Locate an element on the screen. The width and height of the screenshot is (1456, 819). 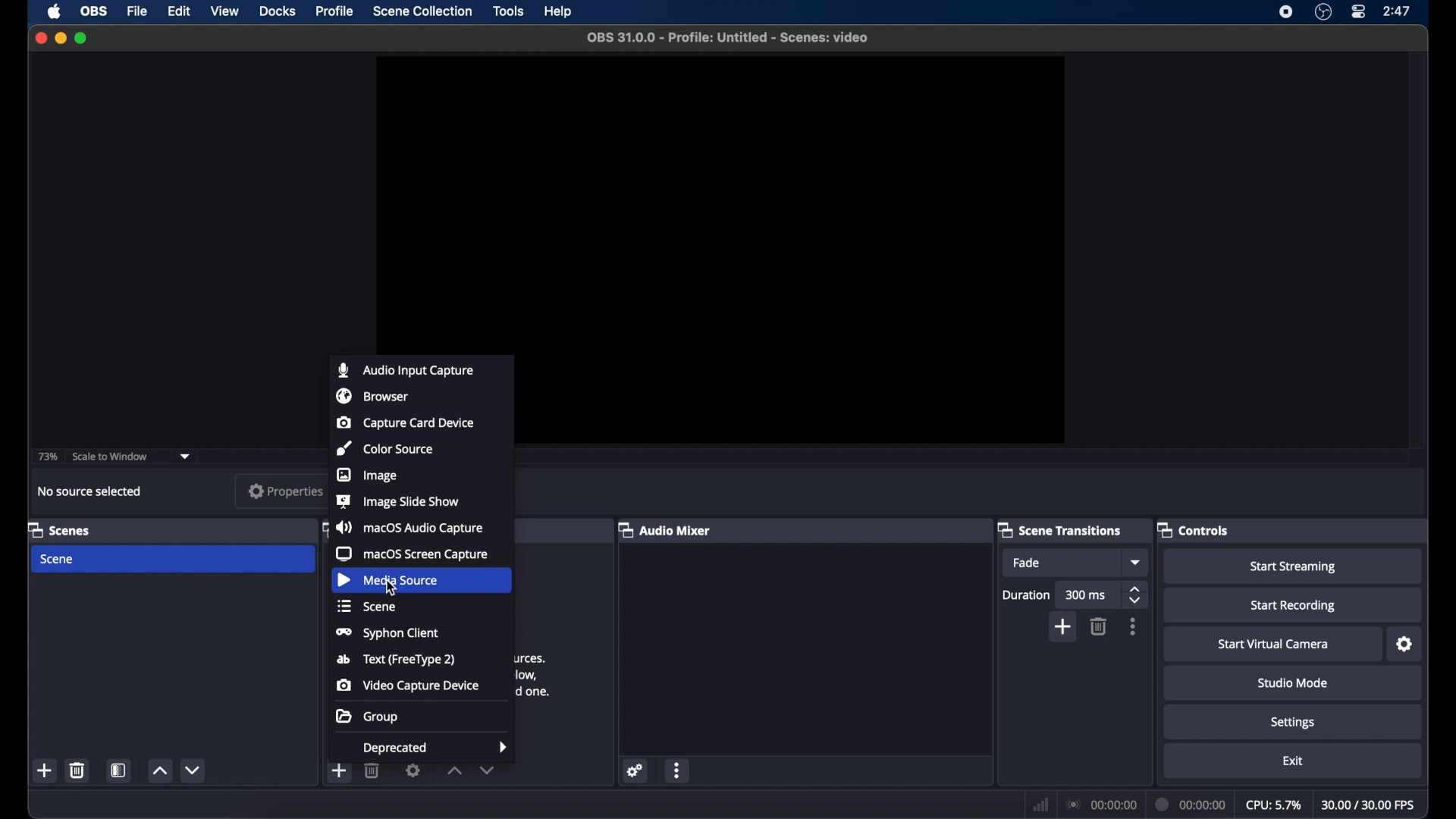
cpu is located at coordinates (1273, 805).